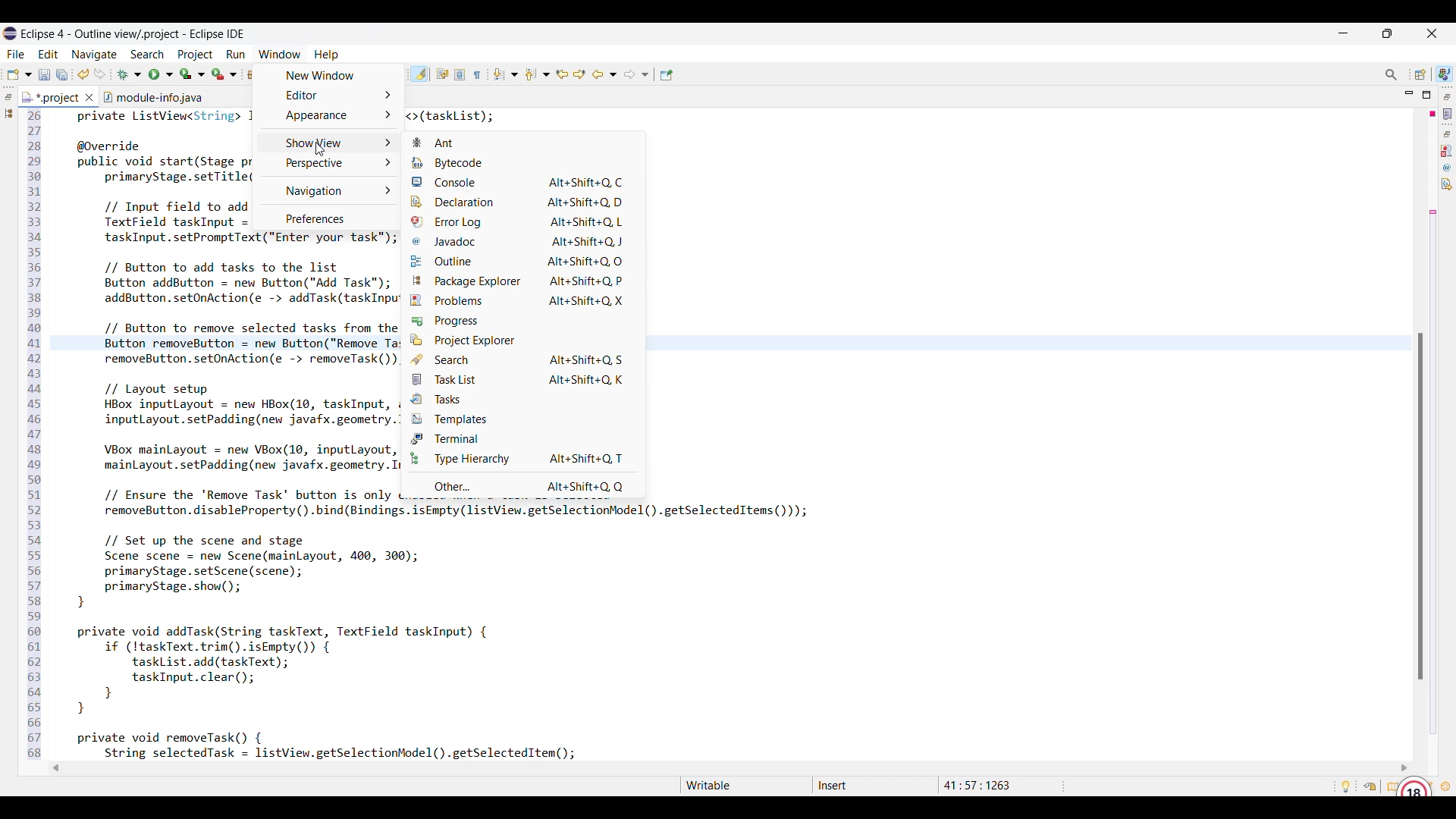  I want to click on Debug options, so click(129, 75).